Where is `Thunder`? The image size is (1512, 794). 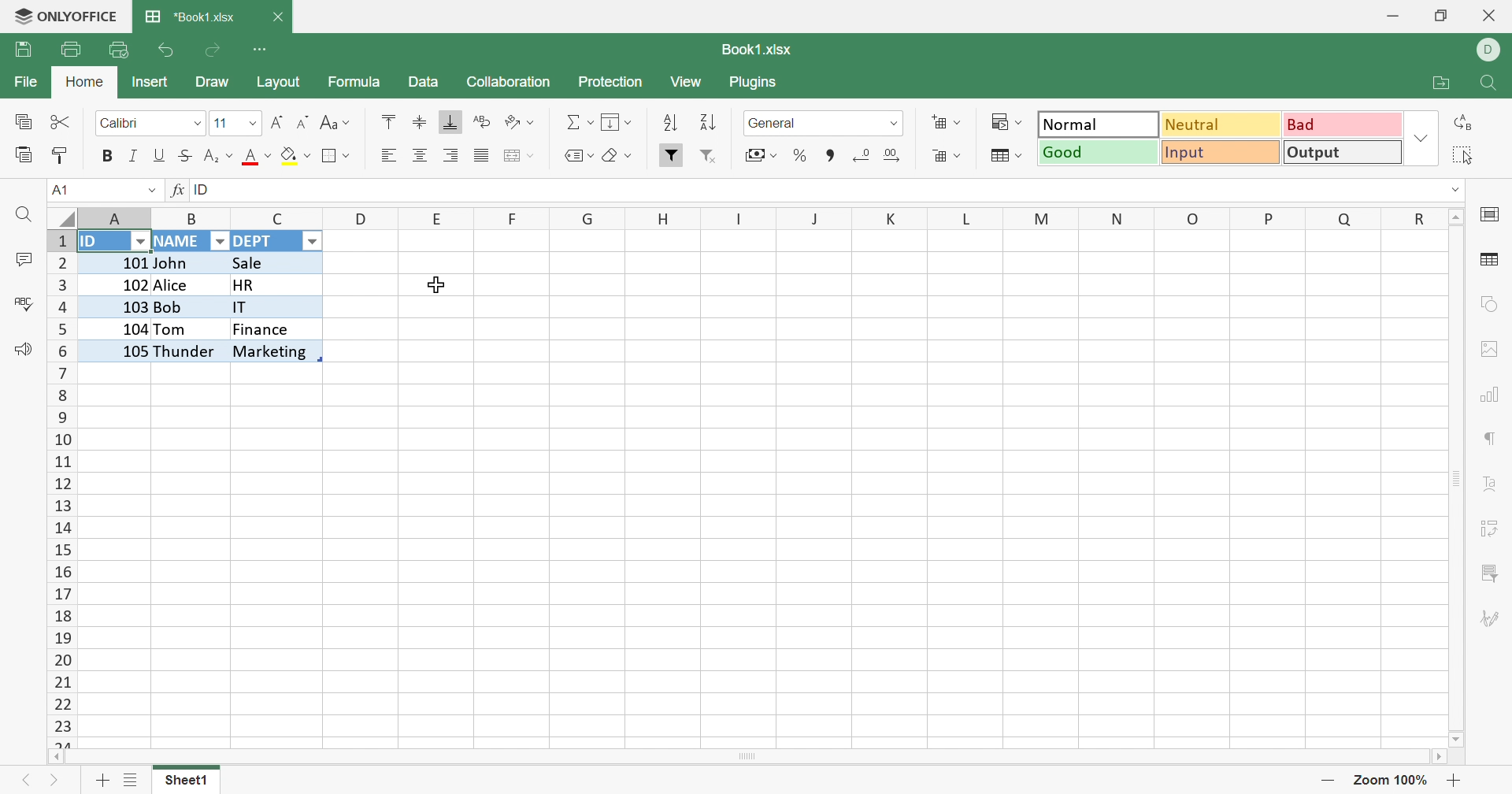 Thunder is located at coordinates (187, 351).